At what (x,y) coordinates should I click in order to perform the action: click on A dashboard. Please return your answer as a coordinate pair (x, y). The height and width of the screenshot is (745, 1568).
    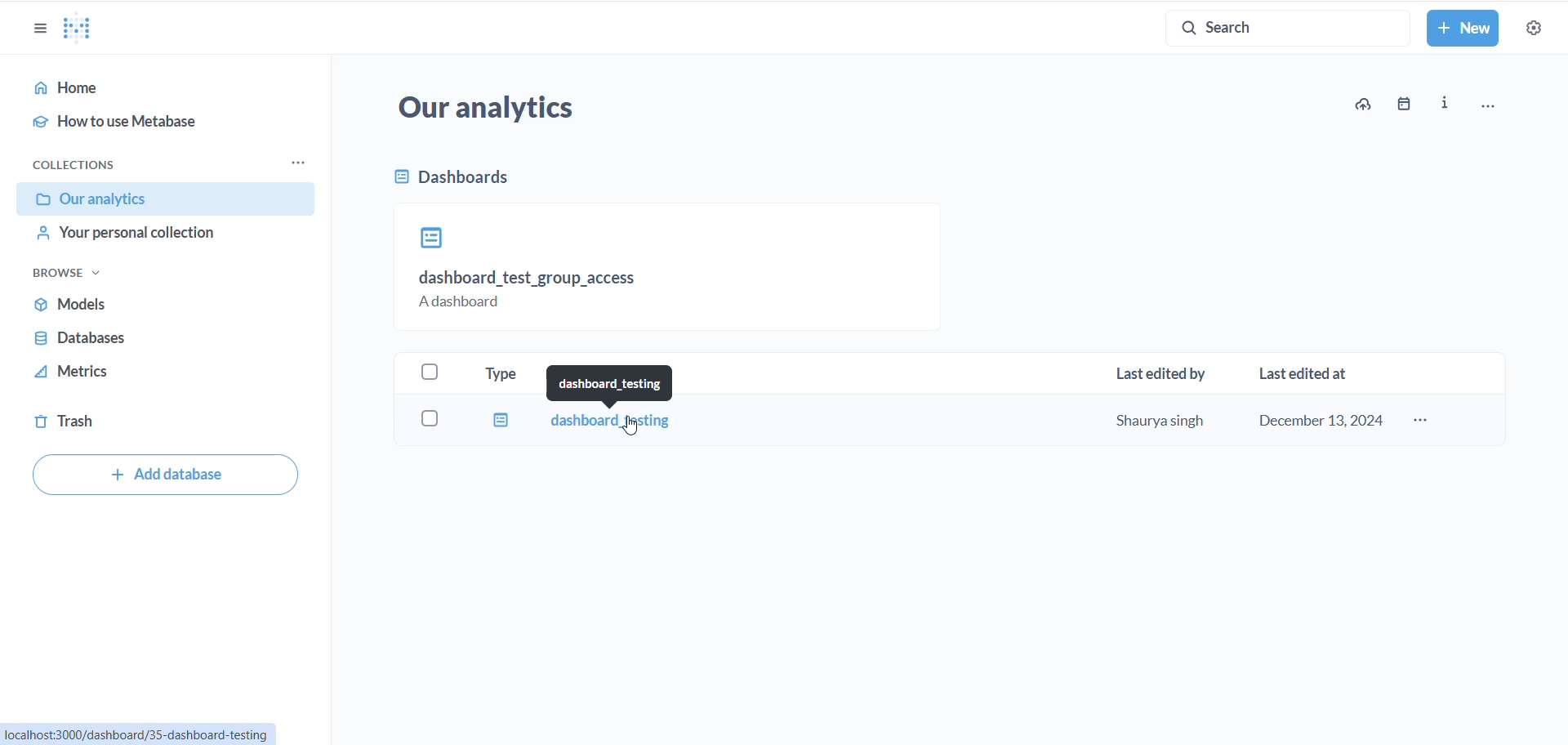
    Looking at the image, I should click on (465, 303).